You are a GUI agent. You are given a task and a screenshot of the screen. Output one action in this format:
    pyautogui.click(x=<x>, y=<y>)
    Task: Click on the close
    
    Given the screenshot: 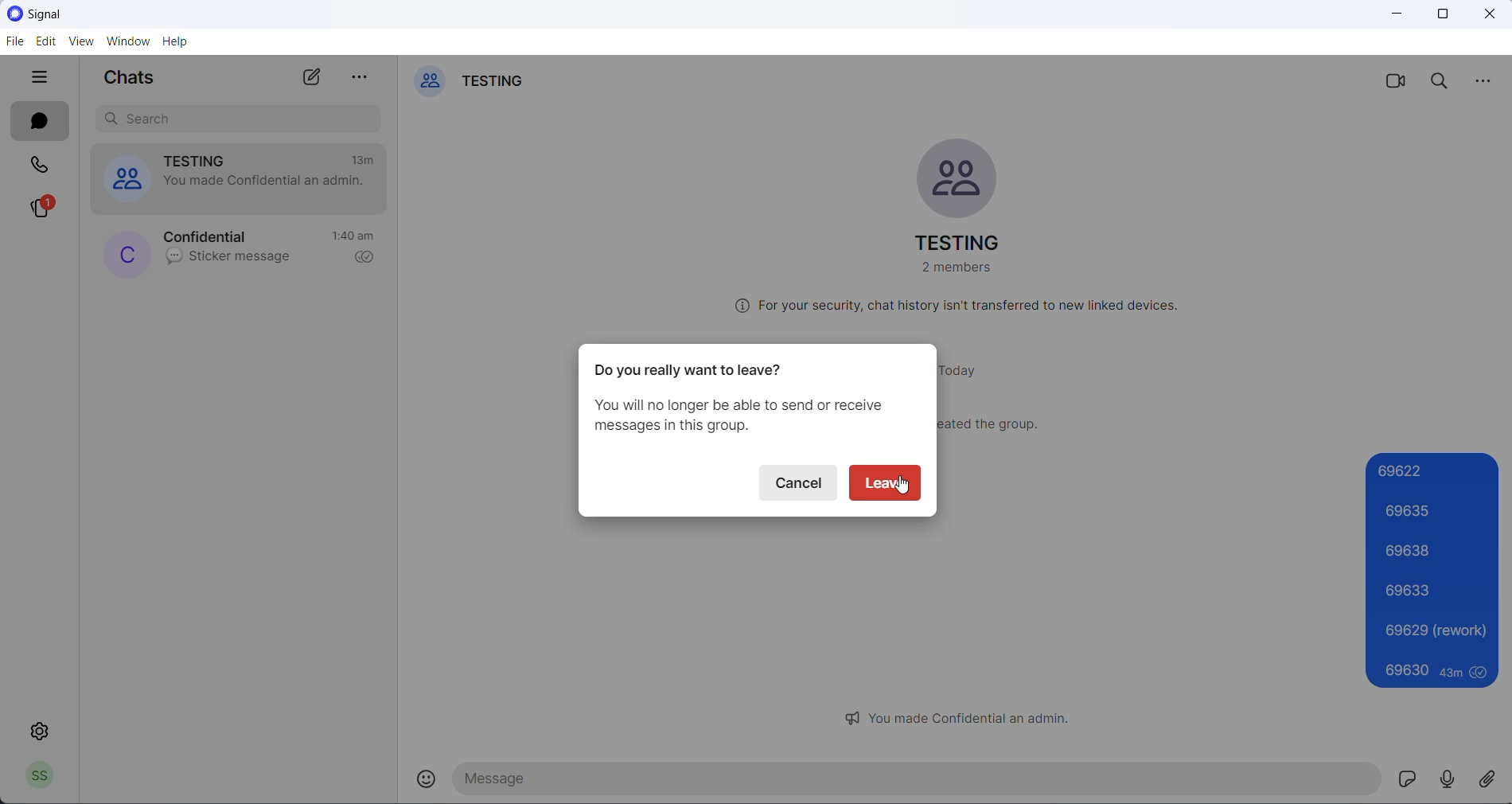 What is the action you would take?
    pyautogui.click(x=1494, y=15)
    